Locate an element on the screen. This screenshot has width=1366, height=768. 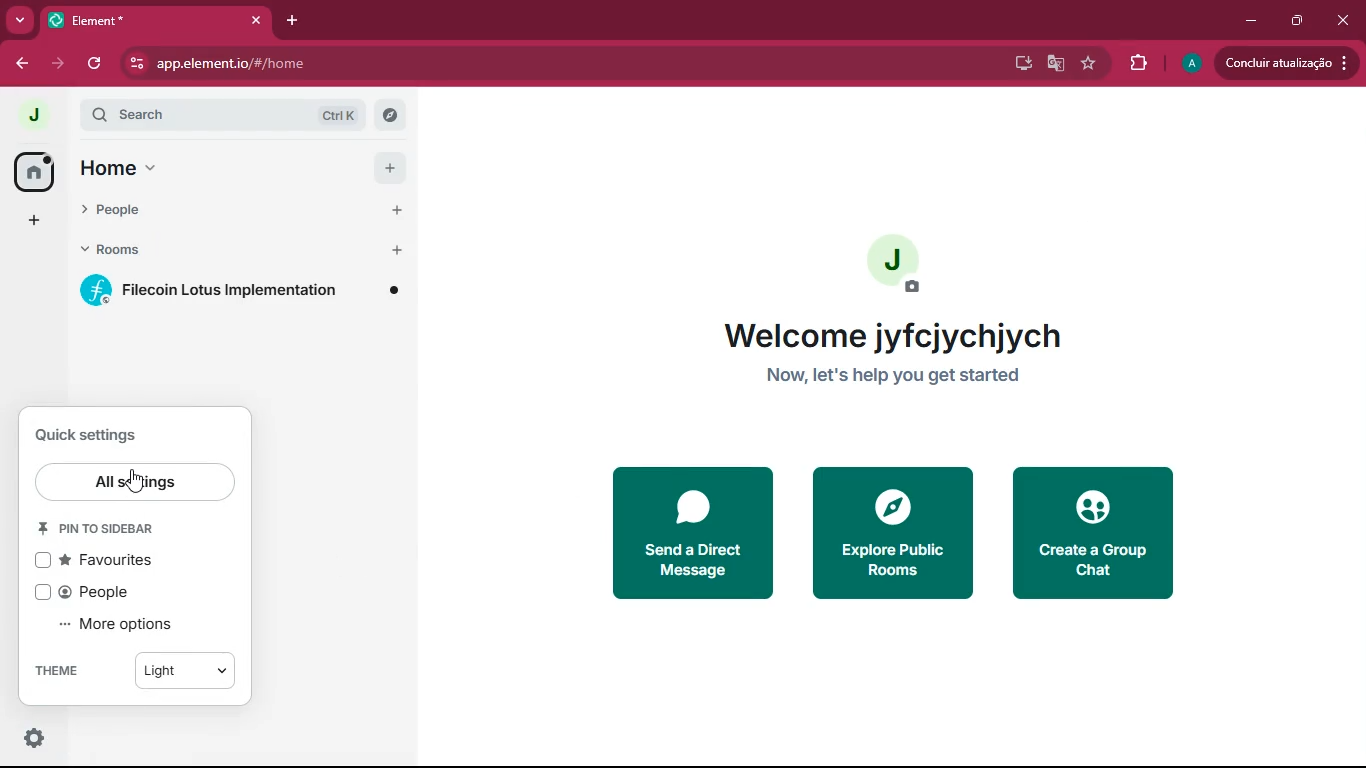
quick settings is located at coordinates (35, 739).